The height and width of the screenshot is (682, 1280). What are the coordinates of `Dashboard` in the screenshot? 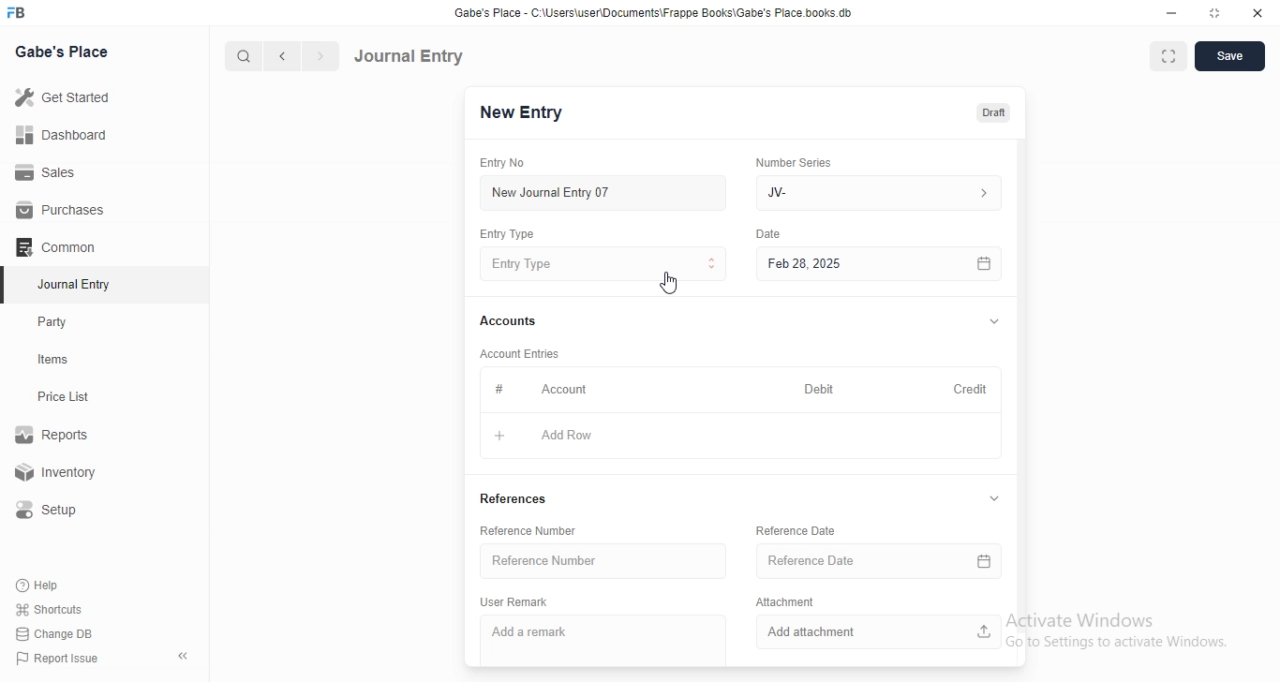 It's located at (59, 135).